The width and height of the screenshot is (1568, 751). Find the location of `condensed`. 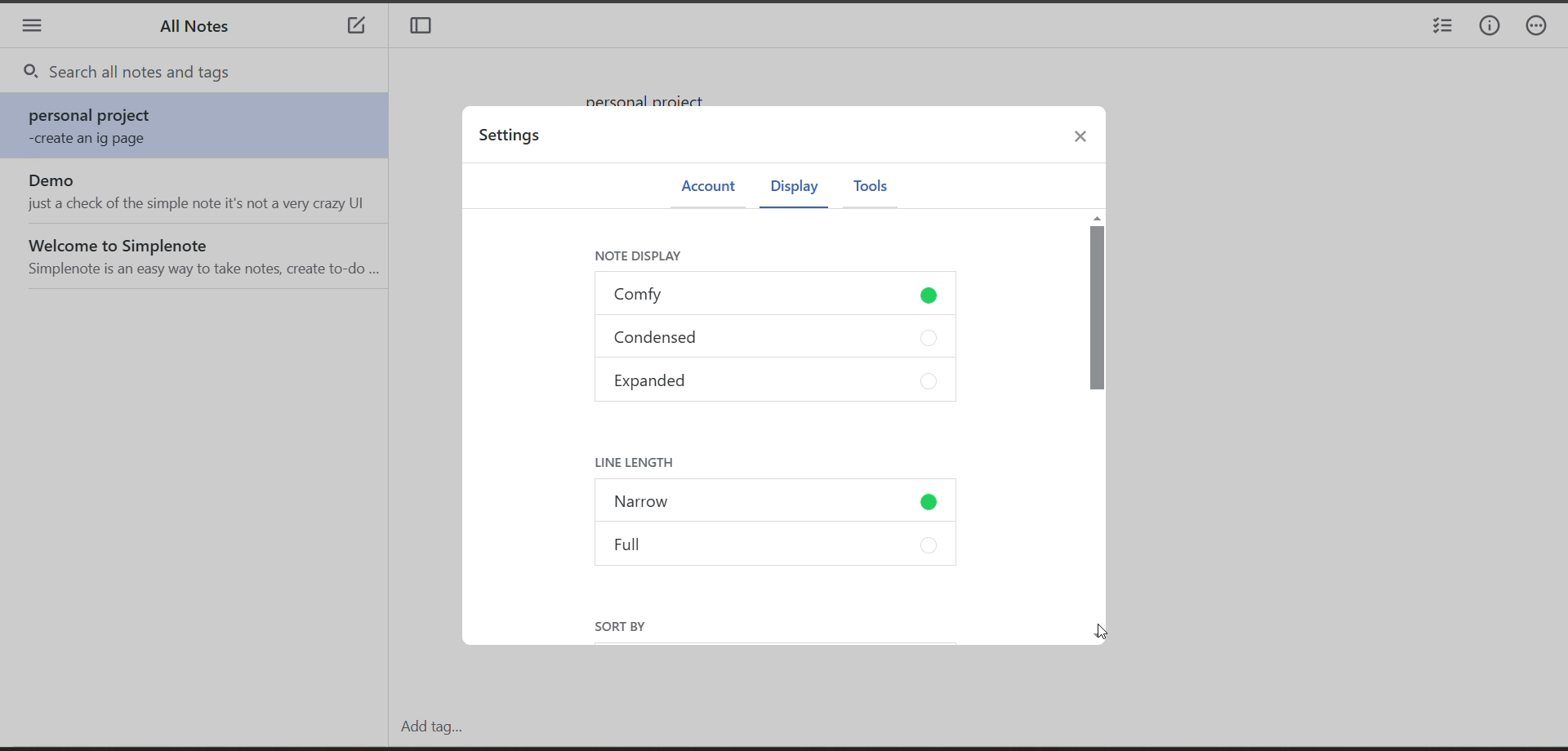

condensed is located at coordinates (775, 340).